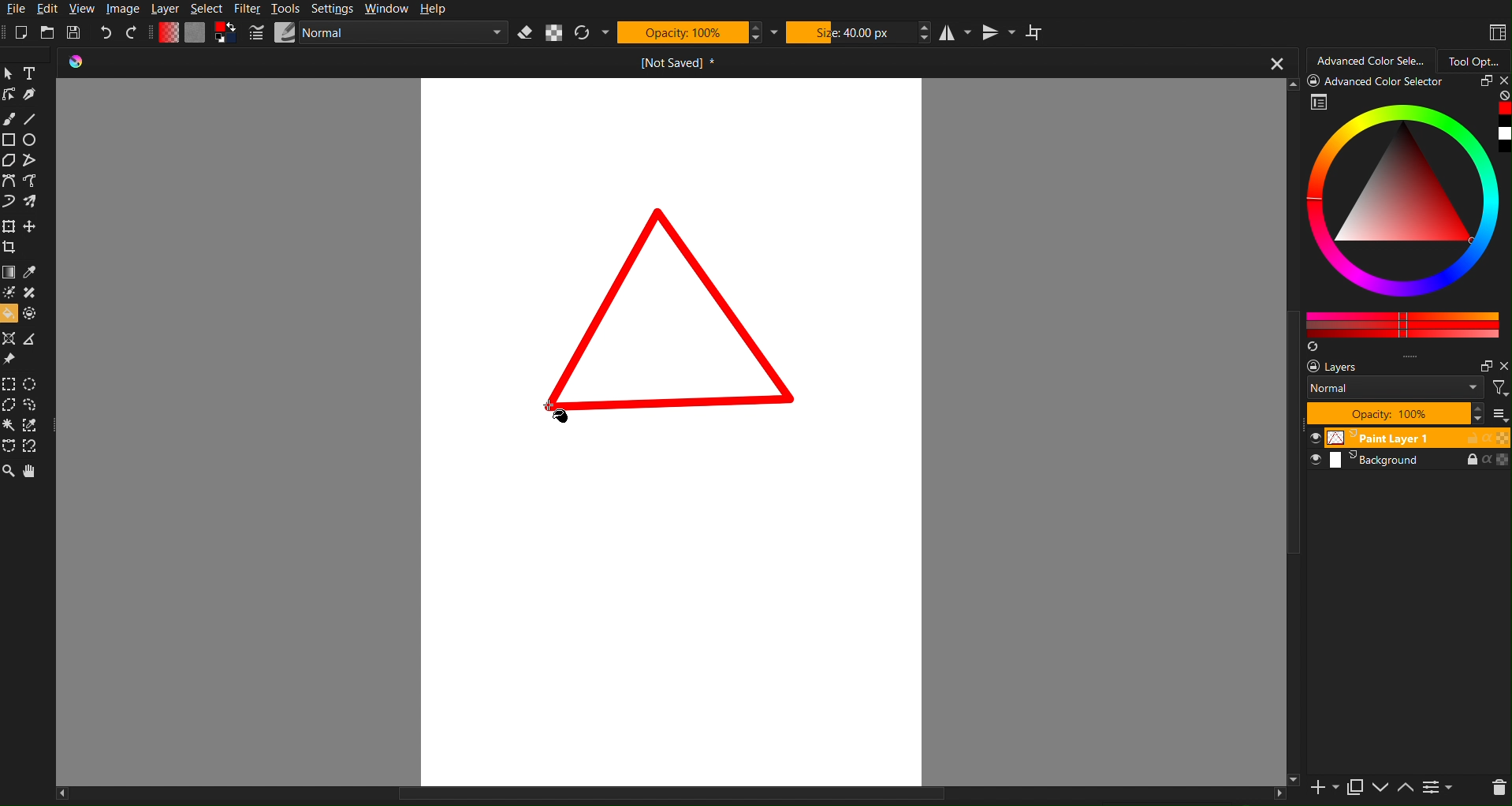 The height and width of the screenshot is (806, 1512). Describe the element at coordinates (10, 160) in the screenshot. I see `polygon tool` at that location.